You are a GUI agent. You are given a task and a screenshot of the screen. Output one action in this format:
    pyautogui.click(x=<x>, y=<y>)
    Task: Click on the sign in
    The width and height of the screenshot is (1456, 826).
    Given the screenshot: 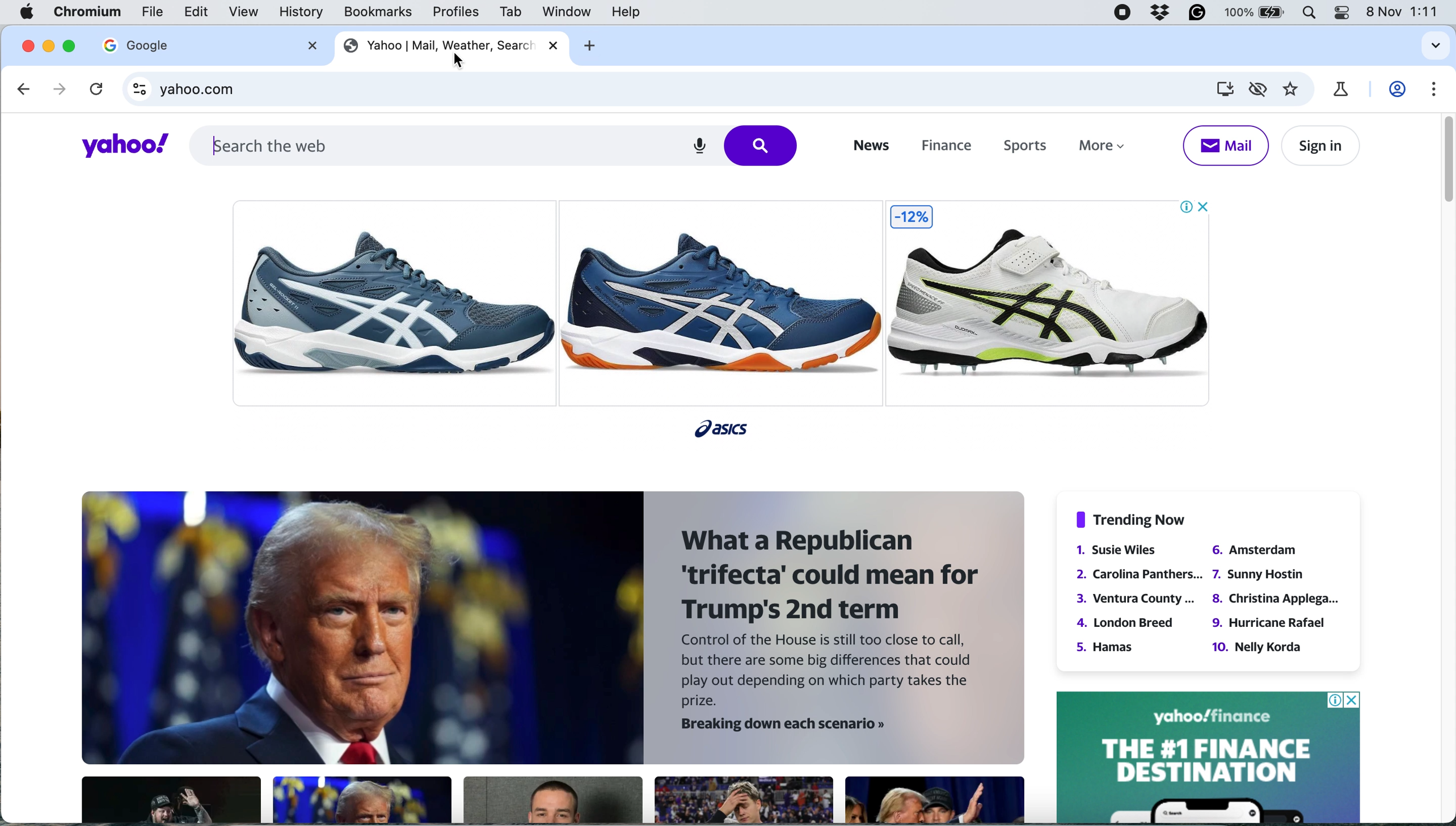 What is the action you would take?
    pyautogui.click(x=1318, y=146)
    